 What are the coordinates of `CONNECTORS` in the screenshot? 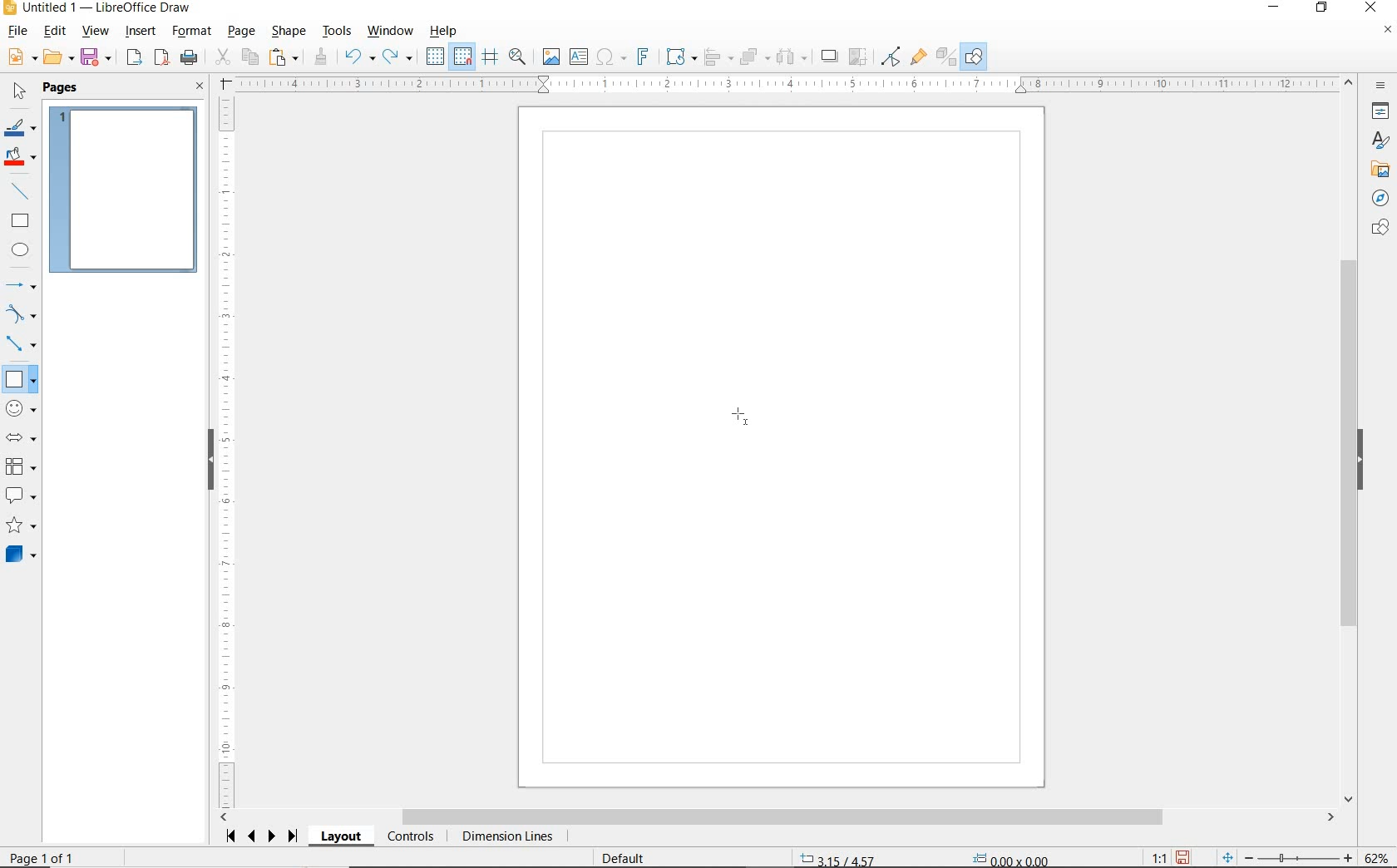 It's located at (21, 345).